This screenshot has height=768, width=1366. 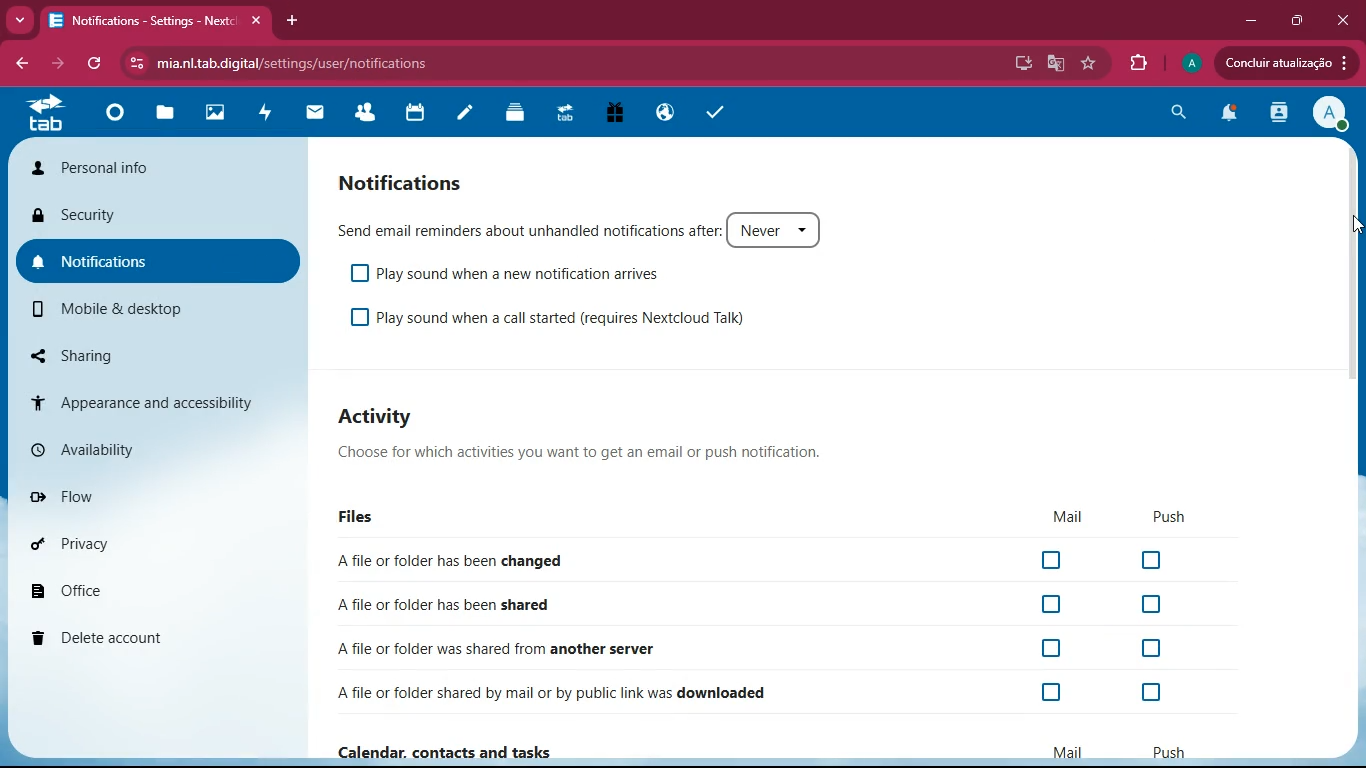 What do you see at coordinates (157, 398) in the screenshot?
I see `appearance & accessibility` at bounding box center [157, 398].